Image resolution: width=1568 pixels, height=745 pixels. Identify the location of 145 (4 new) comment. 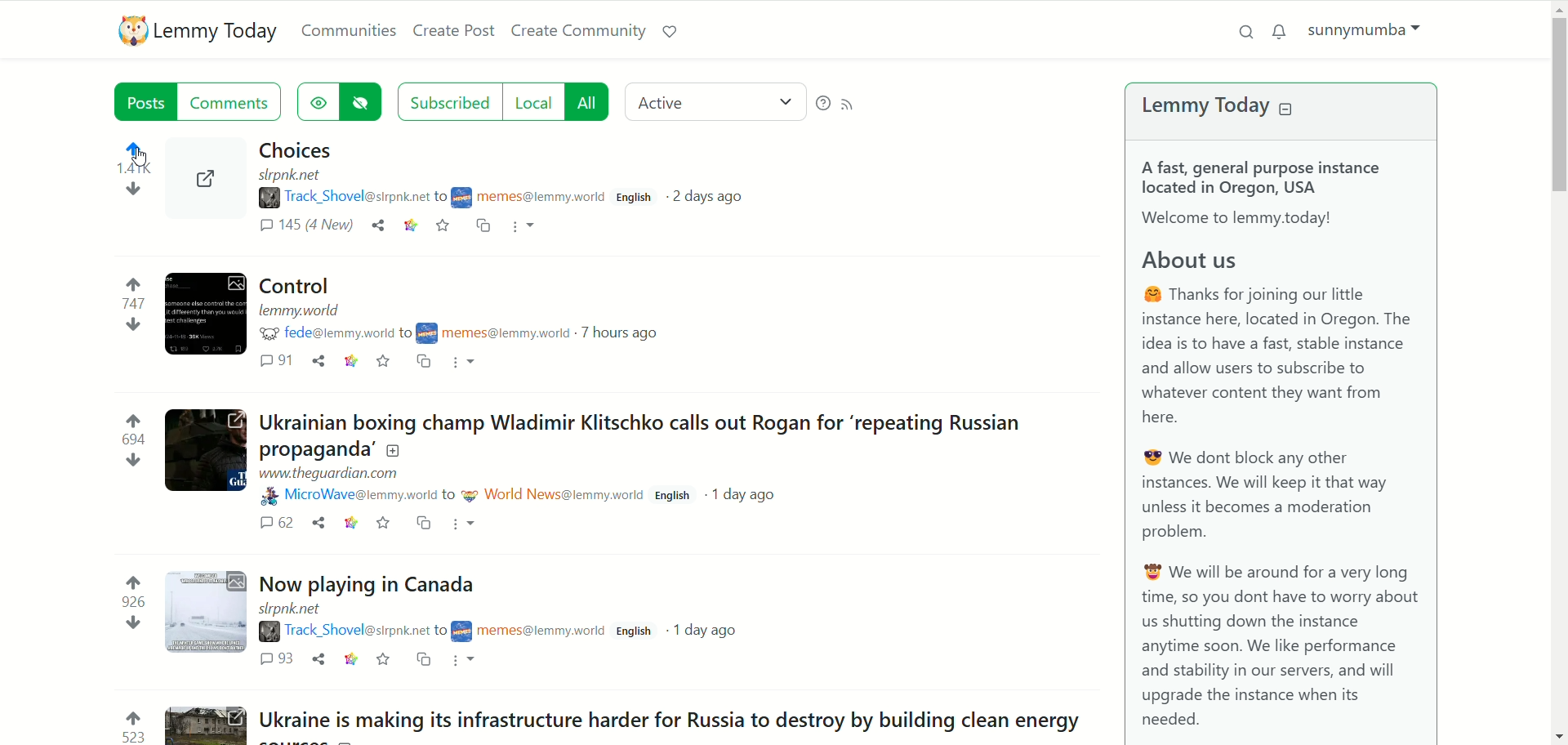
(305, 225).